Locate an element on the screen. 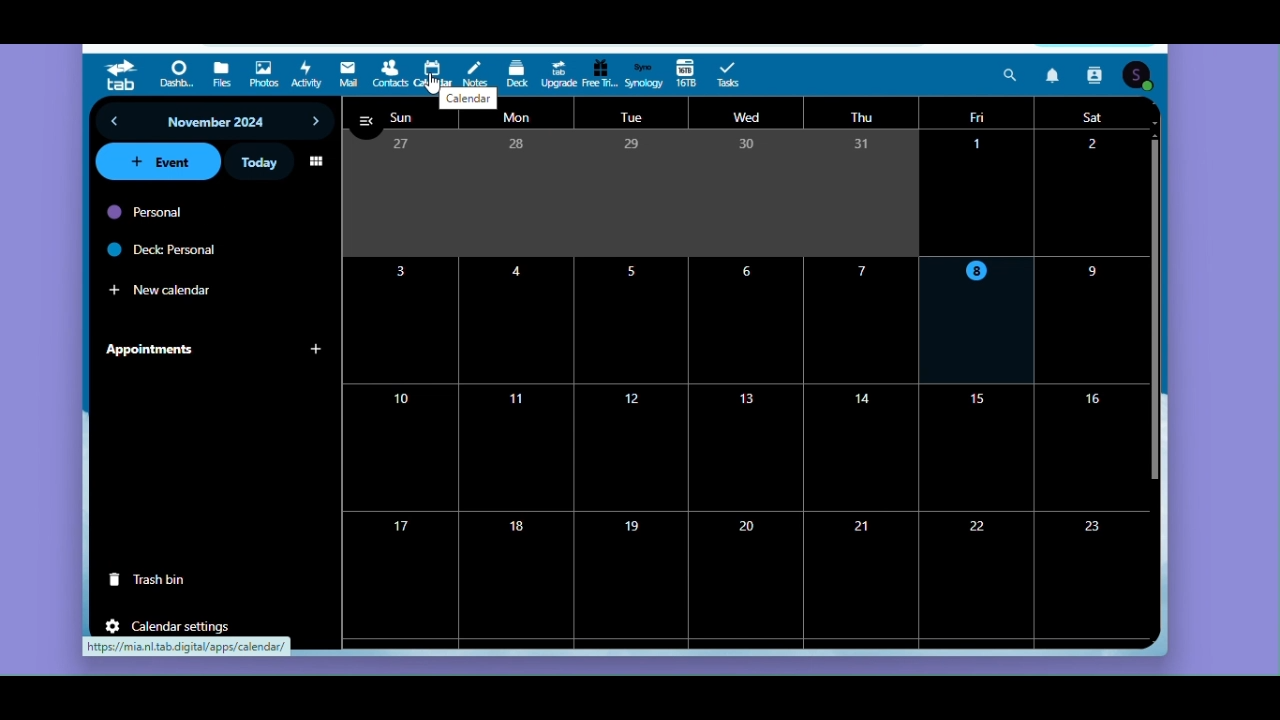  Files is located at coordinates (223, 76).